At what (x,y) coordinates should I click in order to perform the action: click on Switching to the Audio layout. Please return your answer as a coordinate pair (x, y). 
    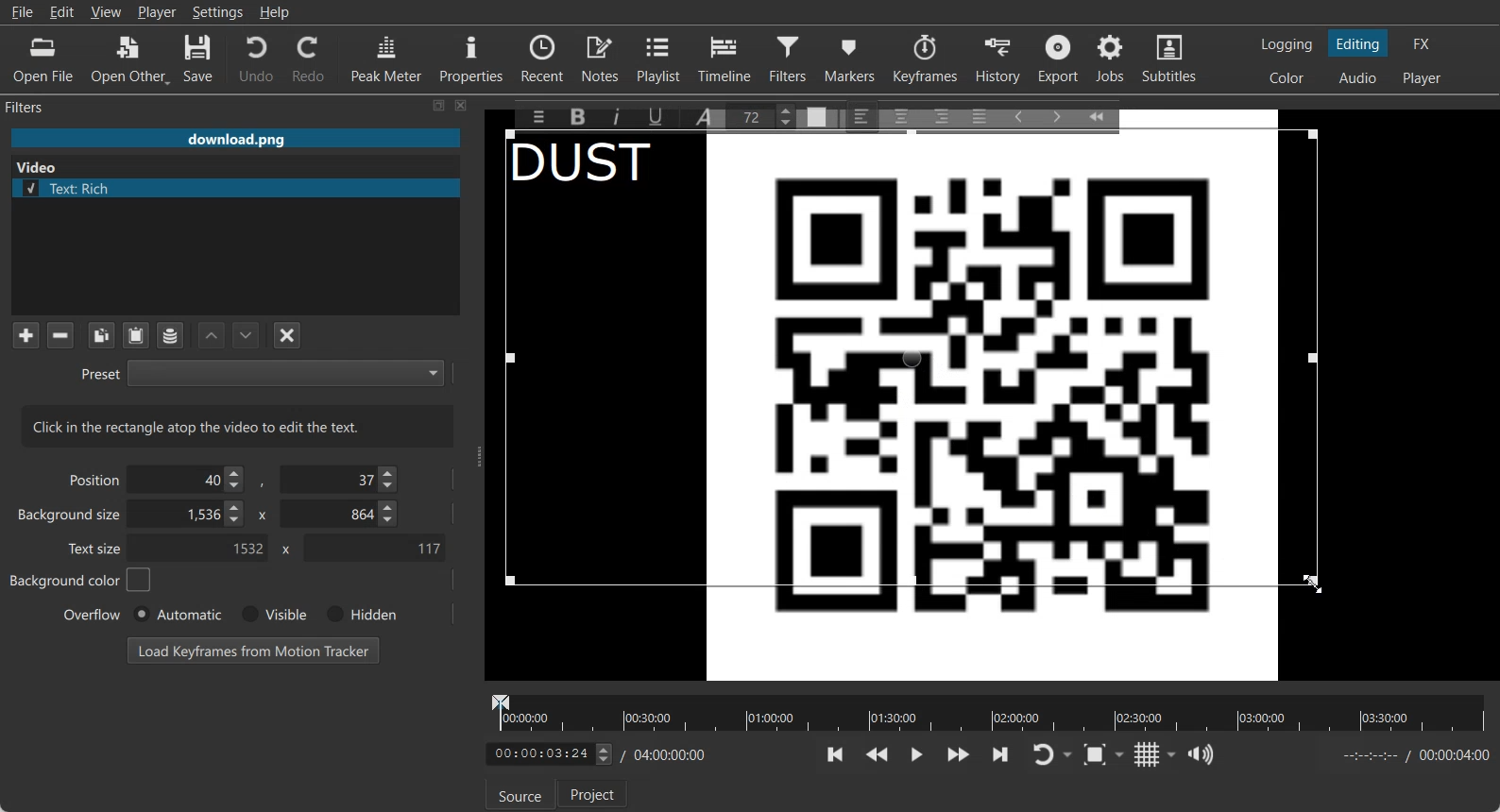
    Looking at the image, I should click on (1359, 78).